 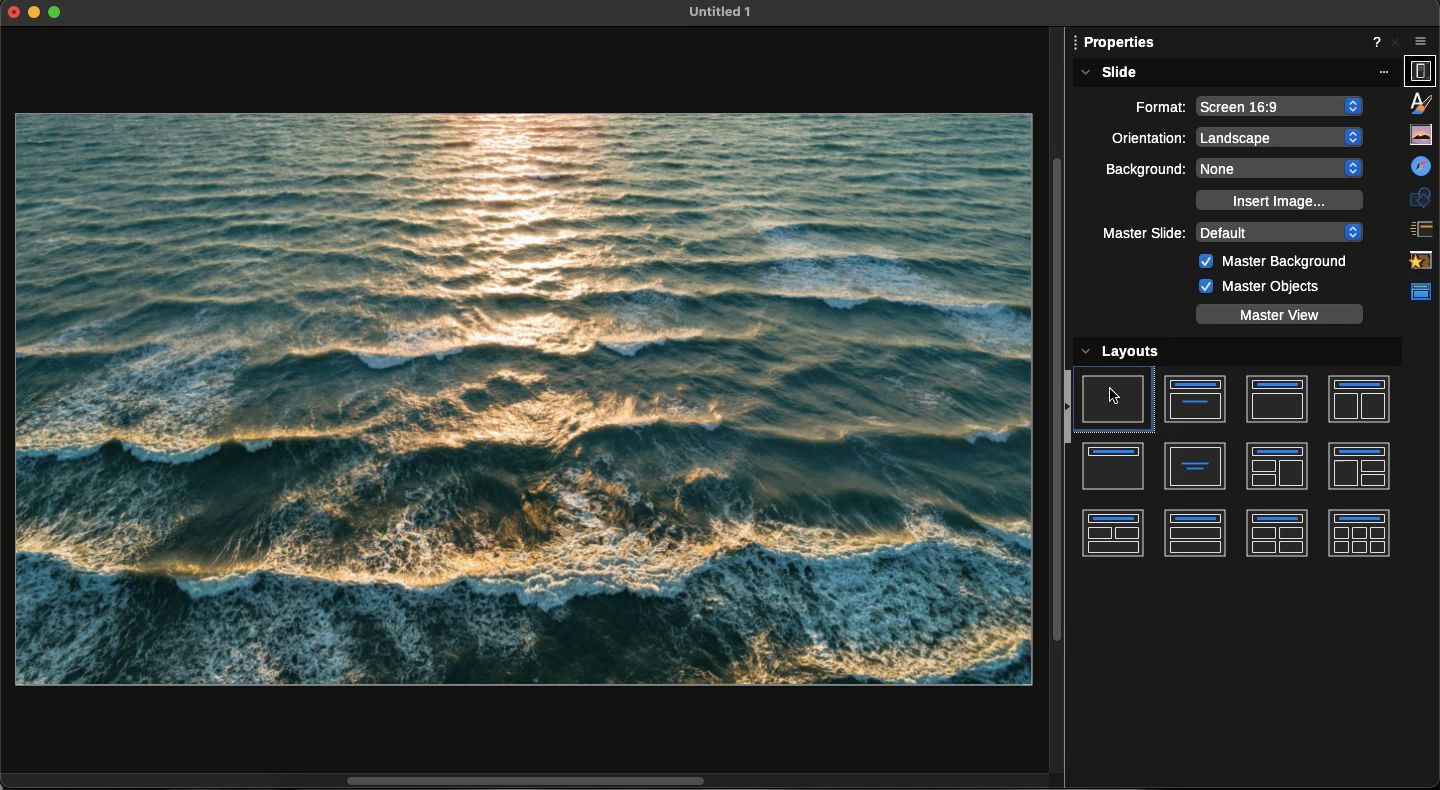 What do you see at coordinates (1397, 43) in the screenshot?
I see `Close` at bounding box center [1397, 43].